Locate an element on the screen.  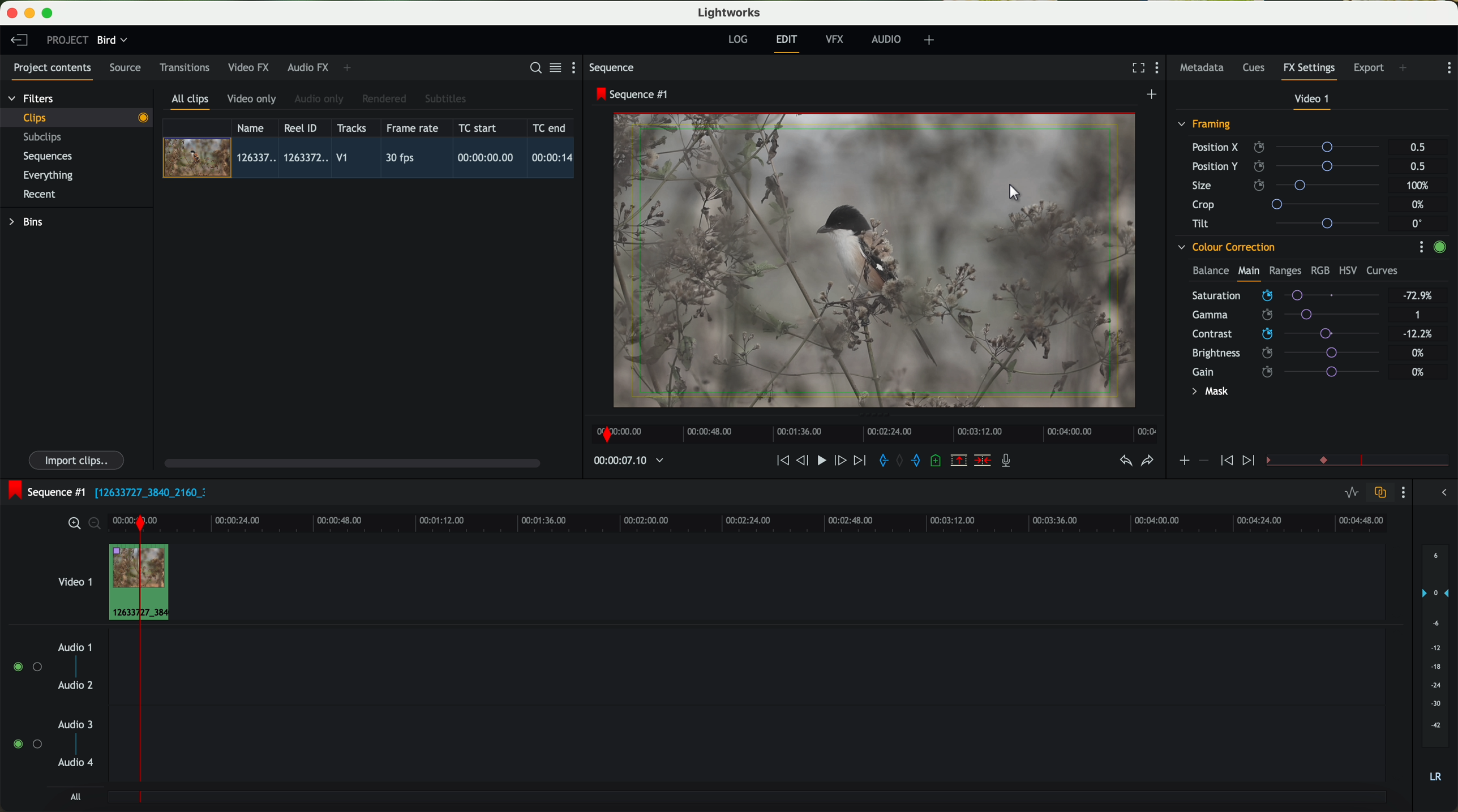
enable audio is located at coordinates (27, 744).